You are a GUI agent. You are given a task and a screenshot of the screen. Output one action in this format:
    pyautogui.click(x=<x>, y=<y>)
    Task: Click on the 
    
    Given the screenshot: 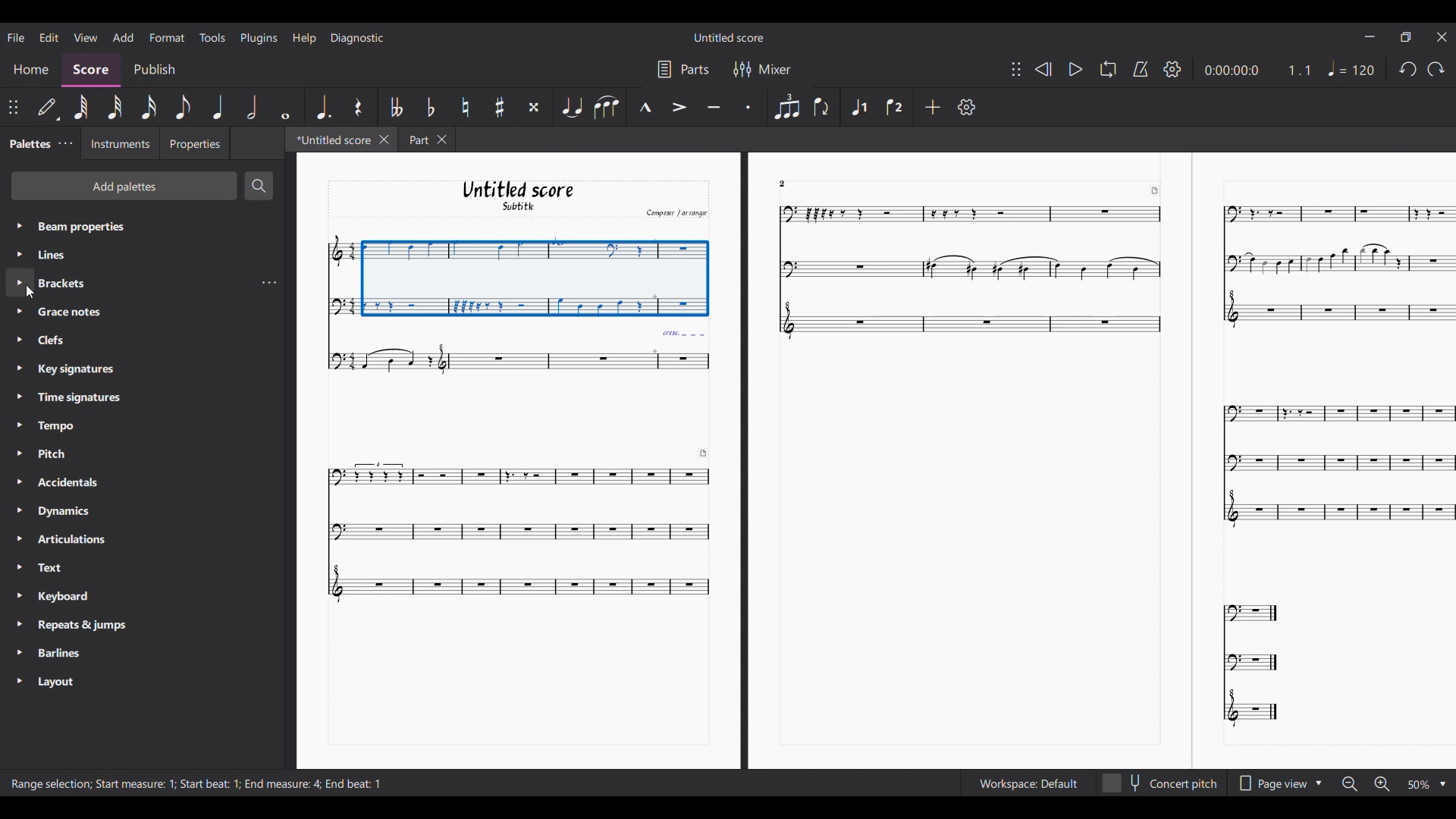 What is the action you would take?
    pyautogui.click(x=1339, y=463)
    